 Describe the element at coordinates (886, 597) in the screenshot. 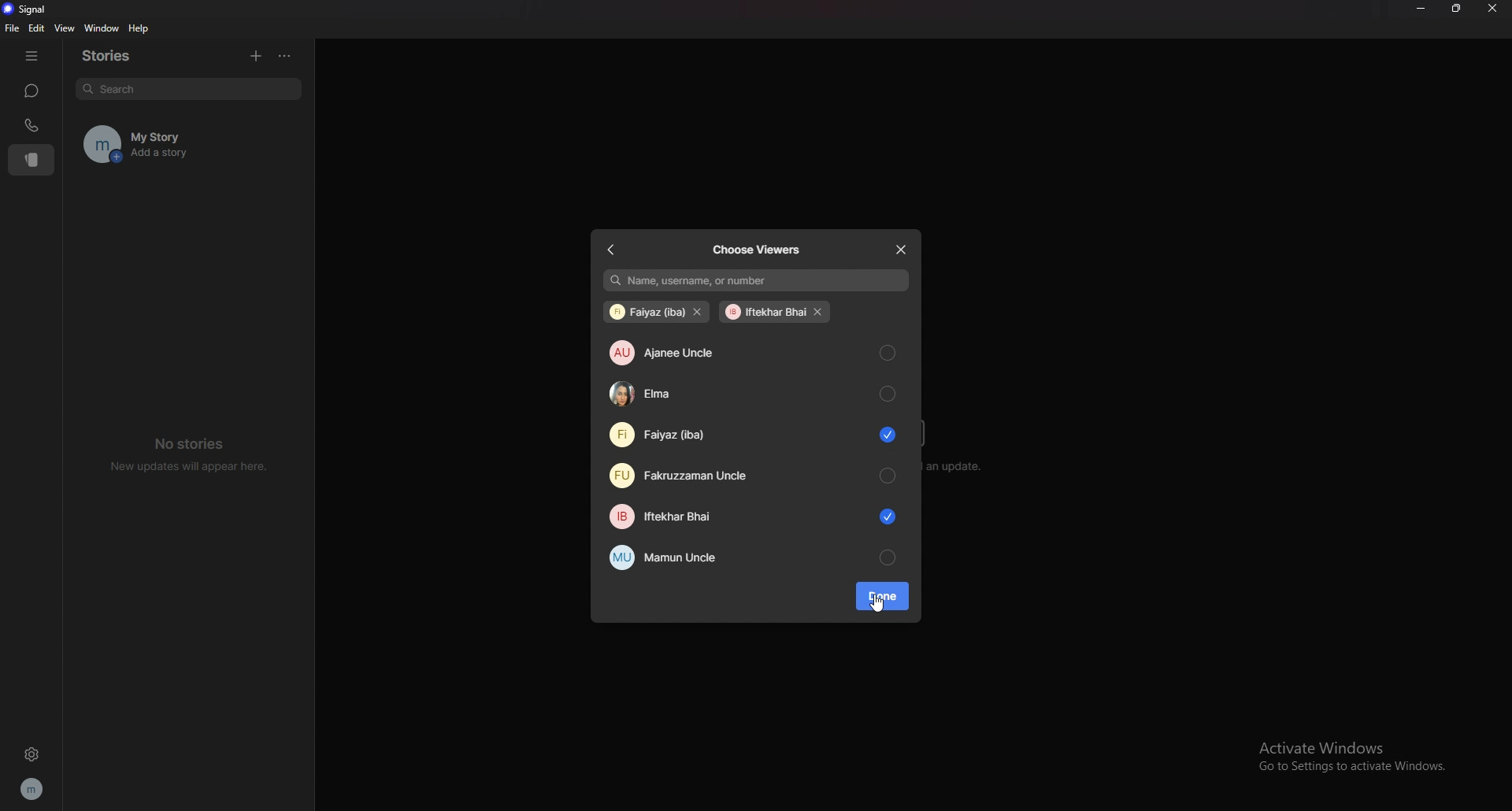

I see `done` at that location.